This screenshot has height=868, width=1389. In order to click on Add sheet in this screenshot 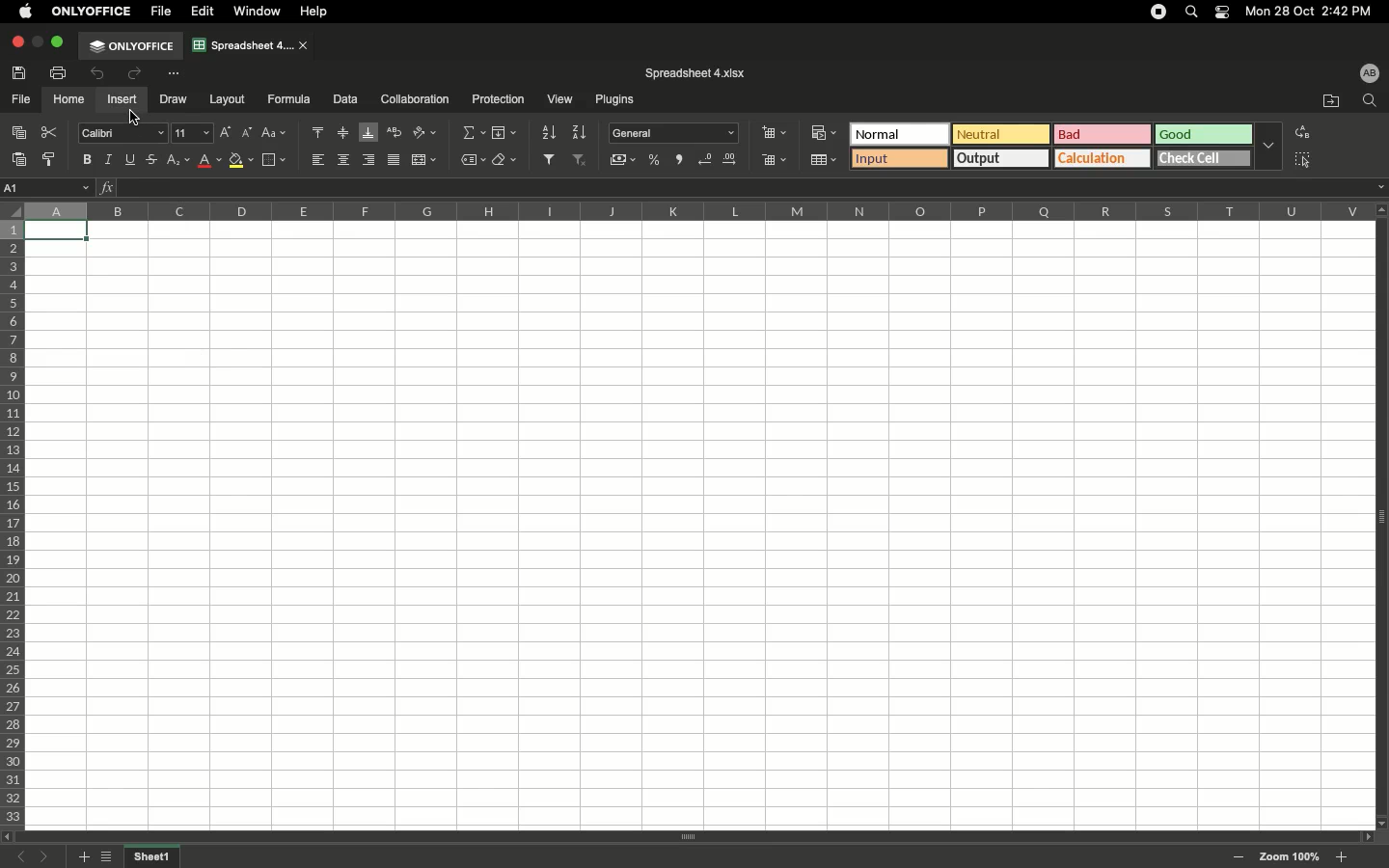, I will do `click(82, 857)`.